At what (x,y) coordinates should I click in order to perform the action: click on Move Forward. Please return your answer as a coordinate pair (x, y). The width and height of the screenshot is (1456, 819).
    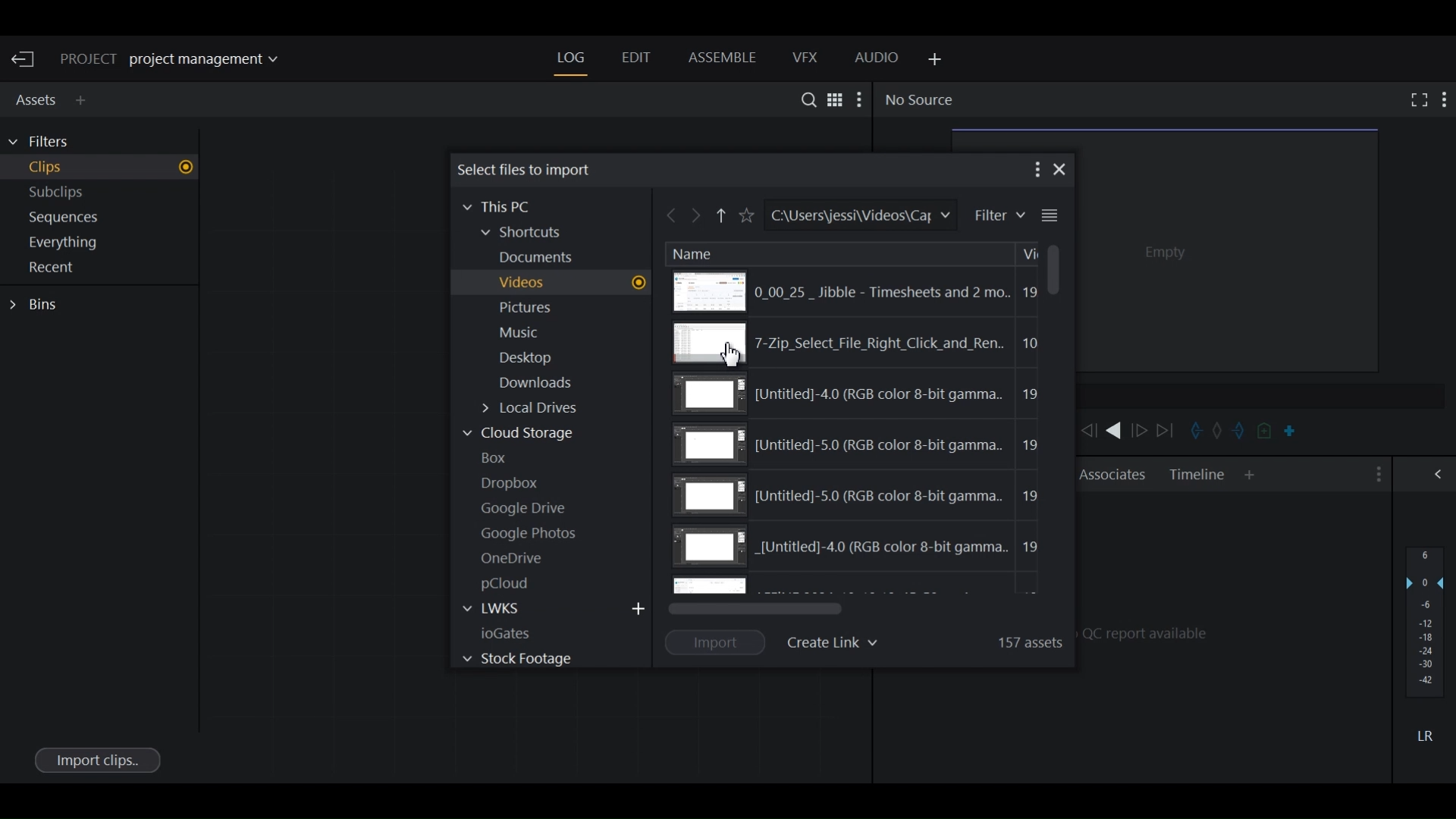
    Looking at the image, I should click on (1170, 431).